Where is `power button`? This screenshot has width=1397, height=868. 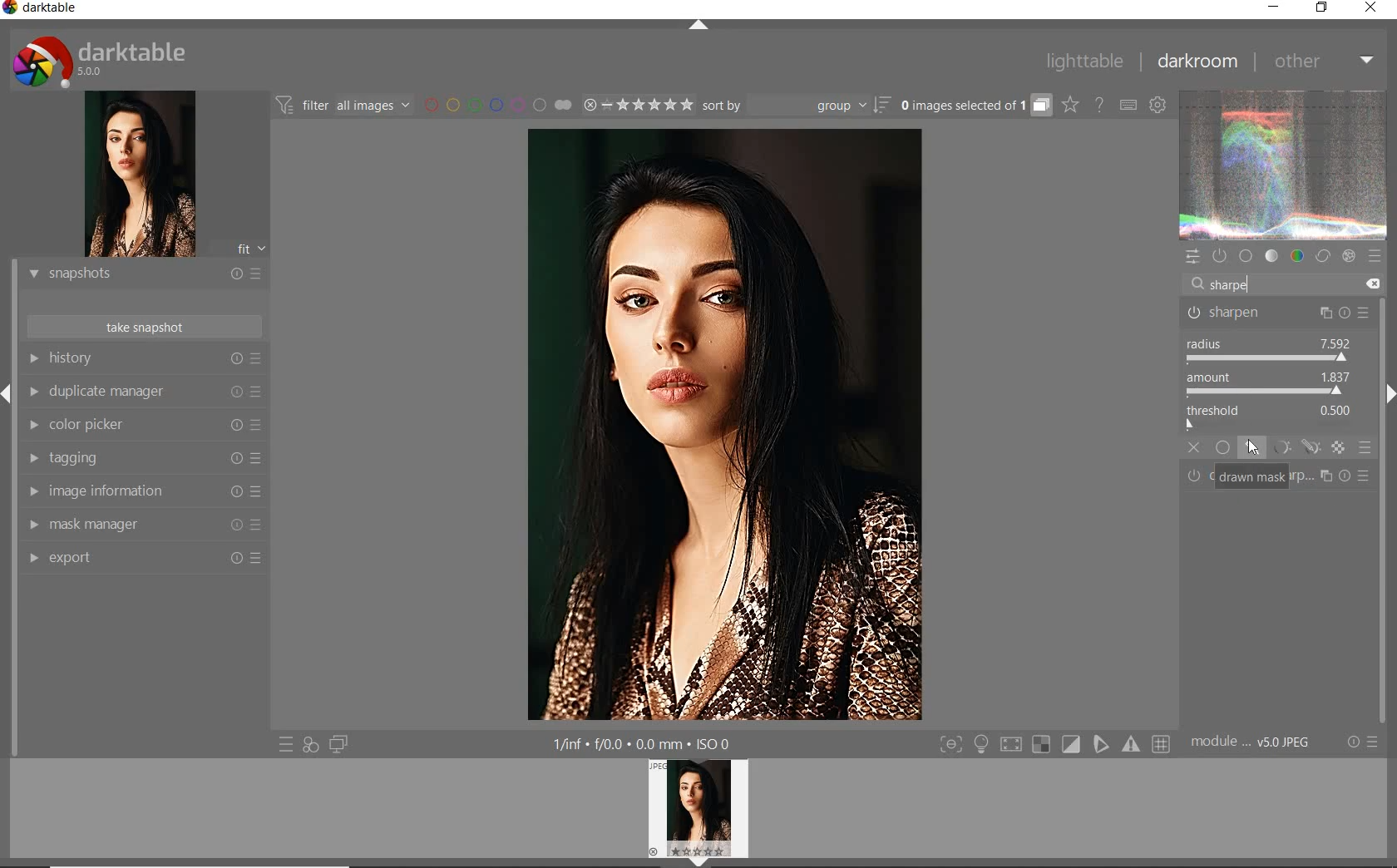 power button is located at coordinates (1193, 476).